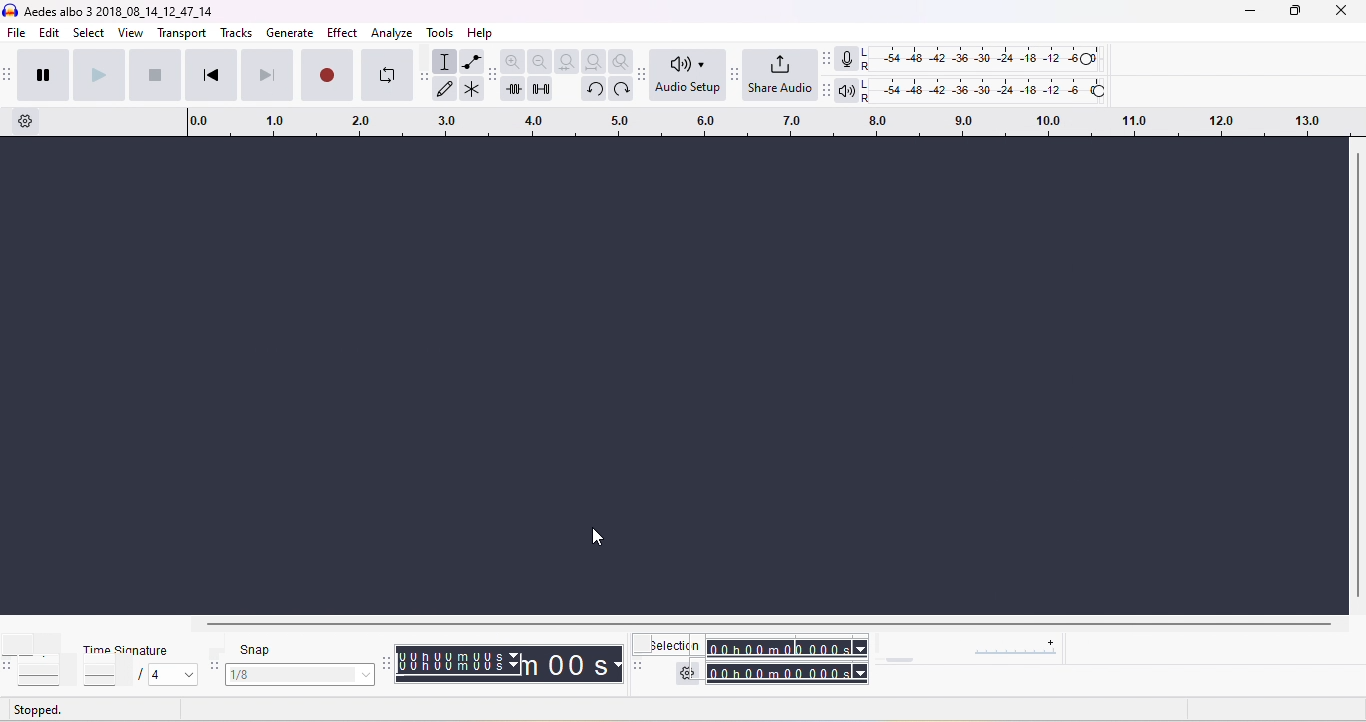  I want to click on zoom toggle, so click(622, 61).